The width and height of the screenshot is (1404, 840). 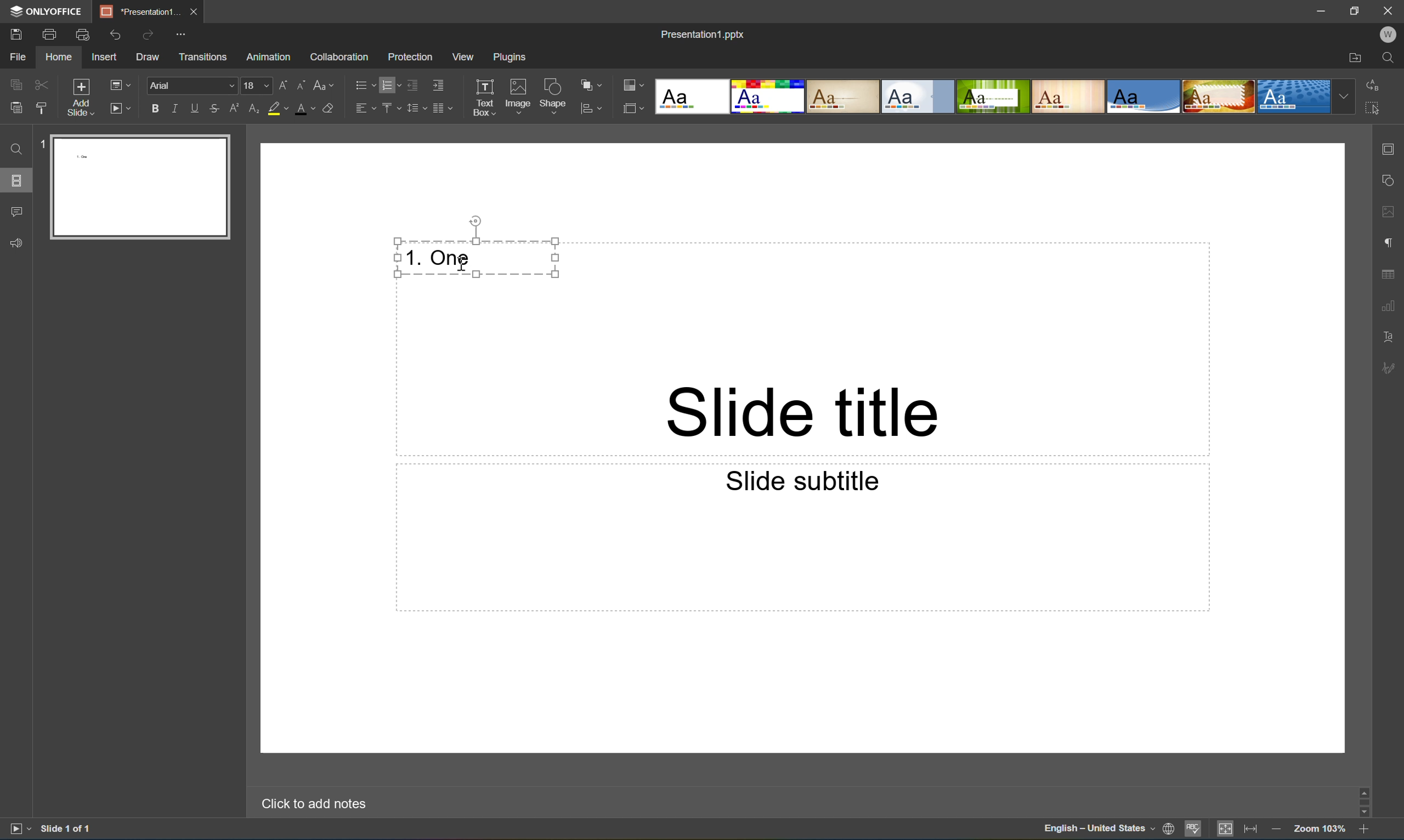 What do you see at coordinates (302, 84) in the screenshot?
I see `Decrement font size` at bounding box center [302, 84].